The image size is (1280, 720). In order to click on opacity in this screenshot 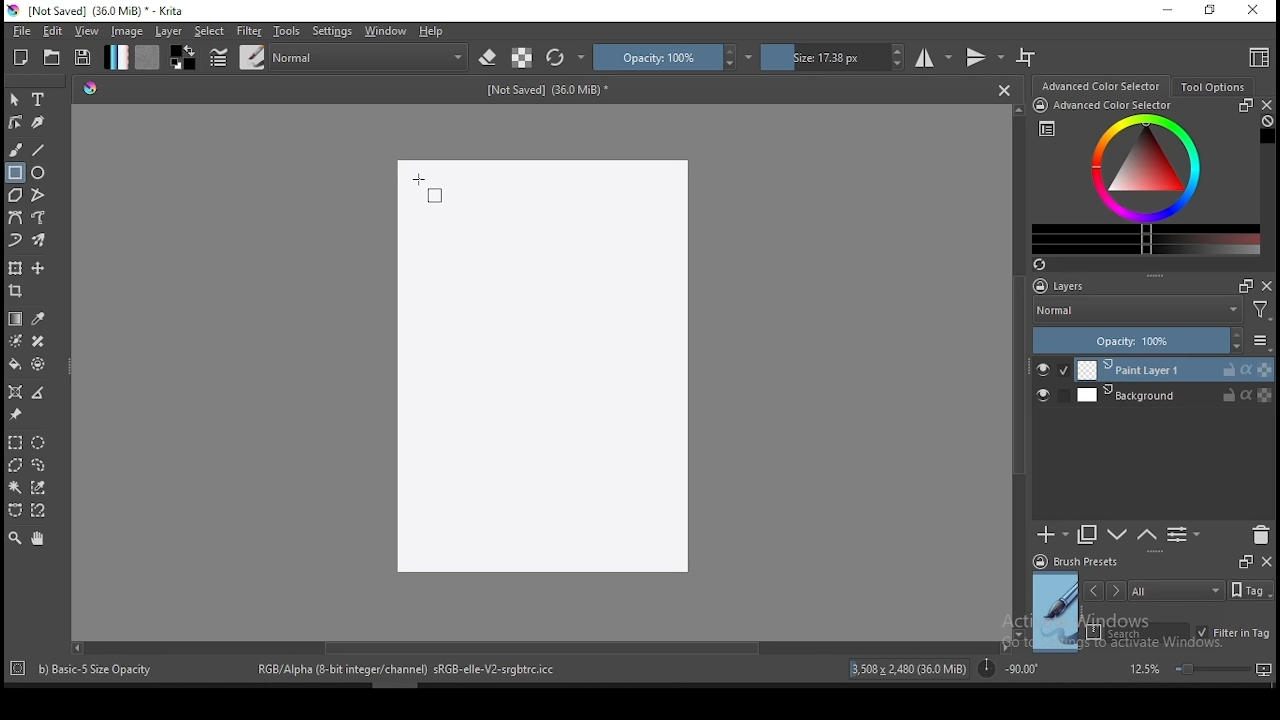, I will do `click(1150, 342)`.